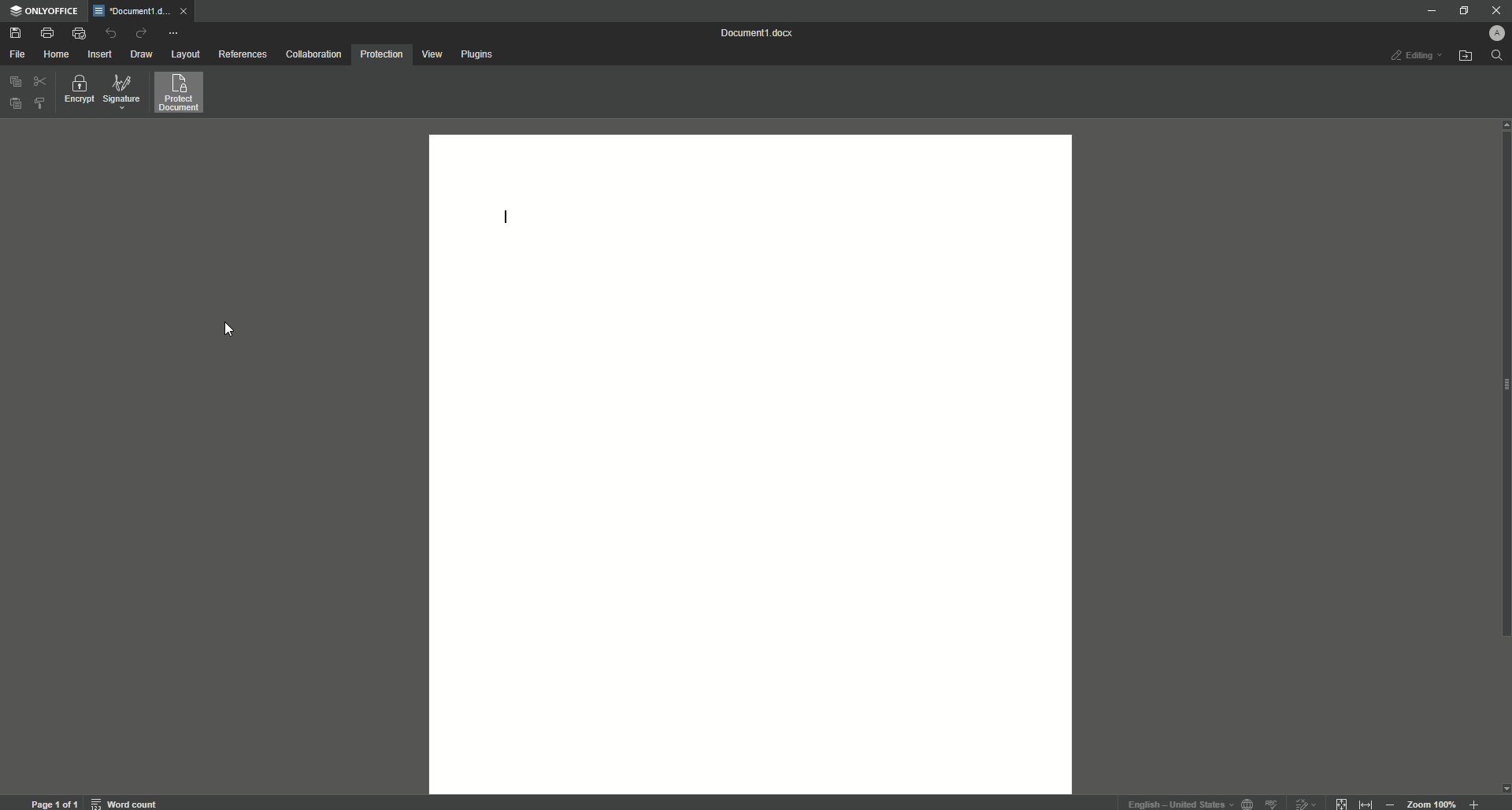  Describe the element at coordinates (1340, 801) in the screenshot. I see `fit to page` at that location.